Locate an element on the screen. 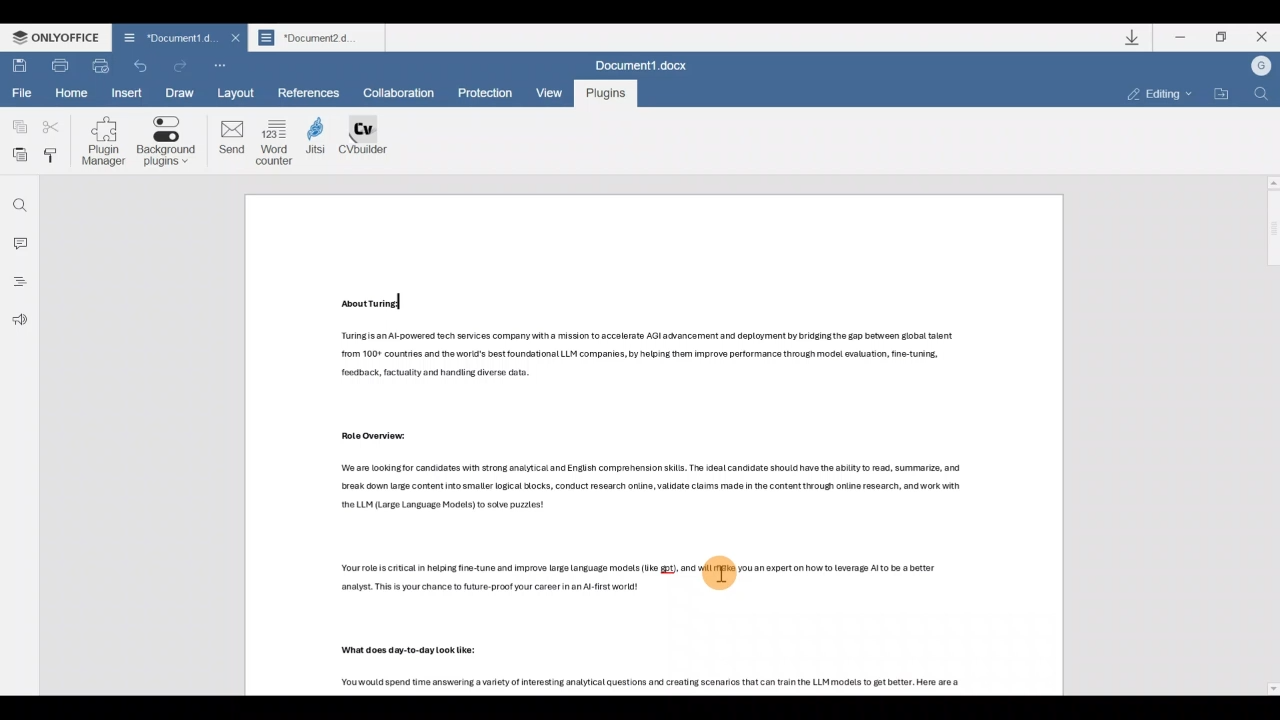 Image resolution: width=1280 pixels, height=720 pixels. Home is located at coordinates (74, 94).